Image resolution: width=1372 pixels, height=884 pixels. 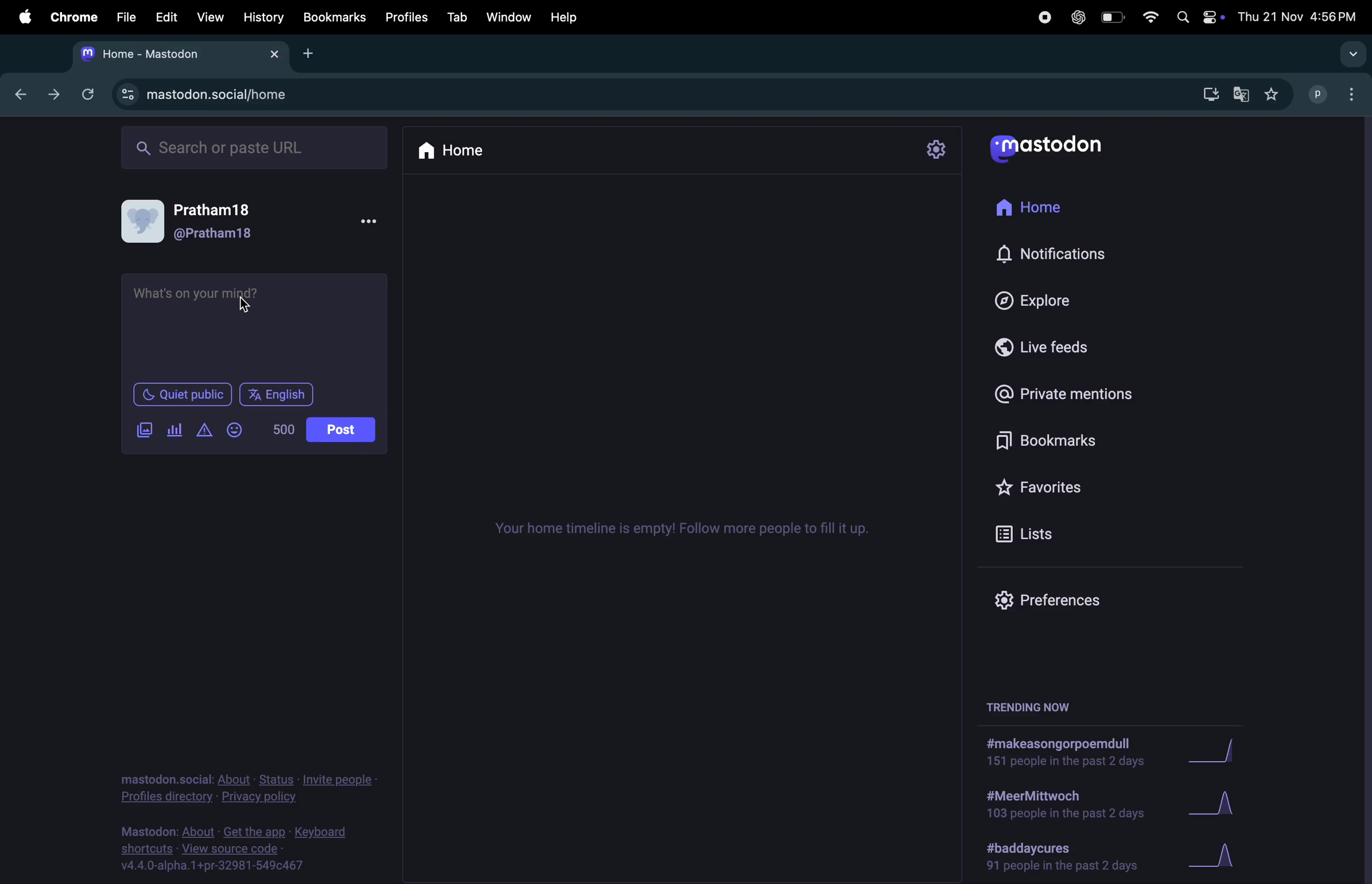 I want to click on wifi, so click(x=1148, y=19).